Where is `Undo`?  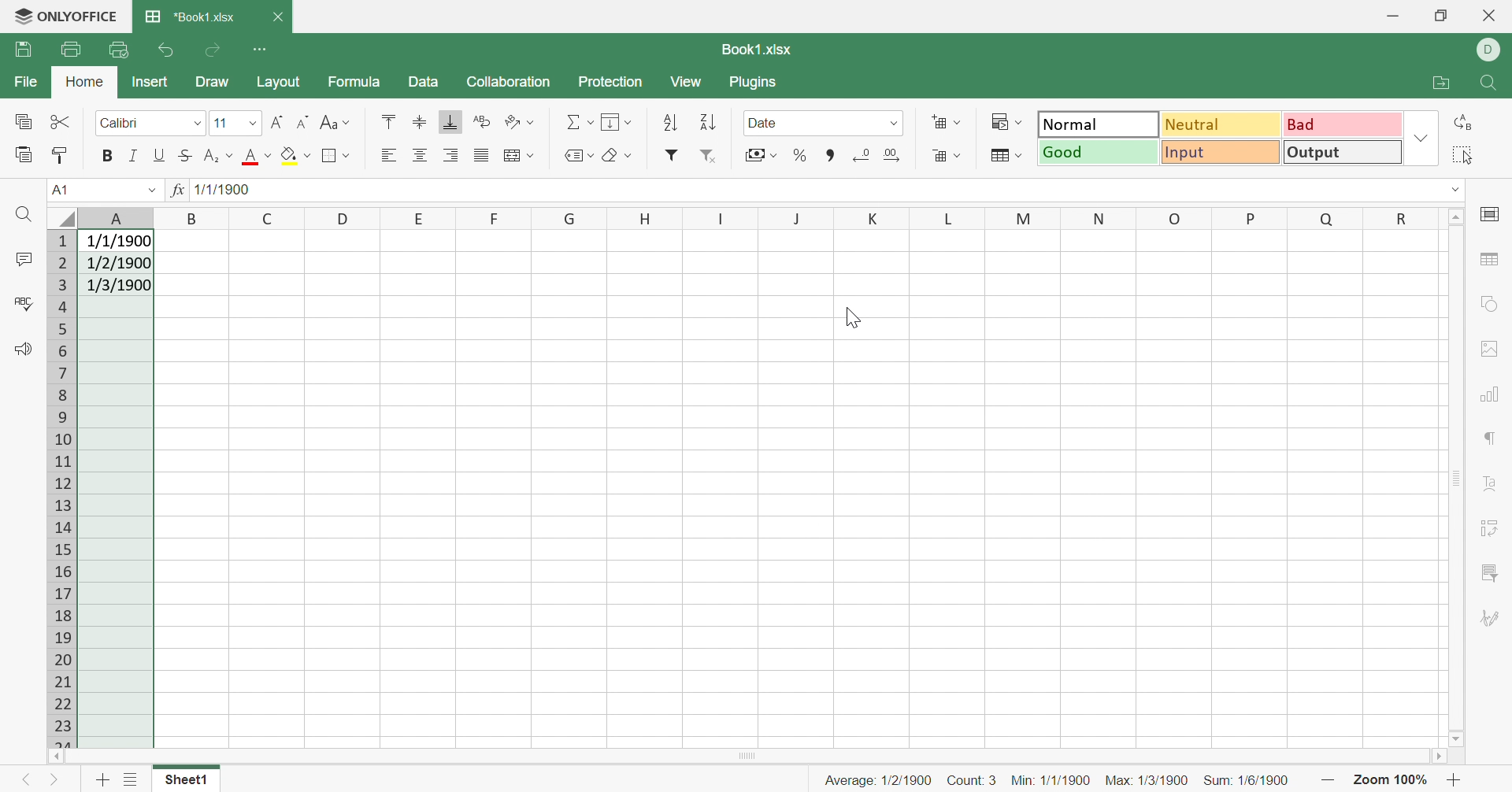 Undo is located at coordinates (169, 49).